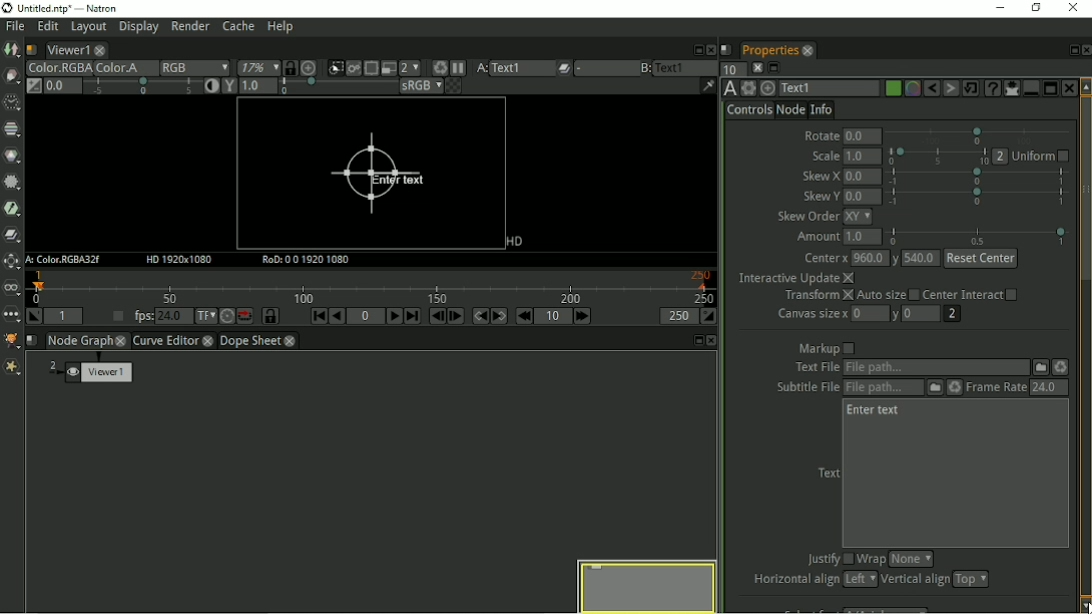 The height and width of the screenshot is (614, 1092). Describe the element at coordinates (435, 316) in the screenshot. I see `Previous frame` at that location.